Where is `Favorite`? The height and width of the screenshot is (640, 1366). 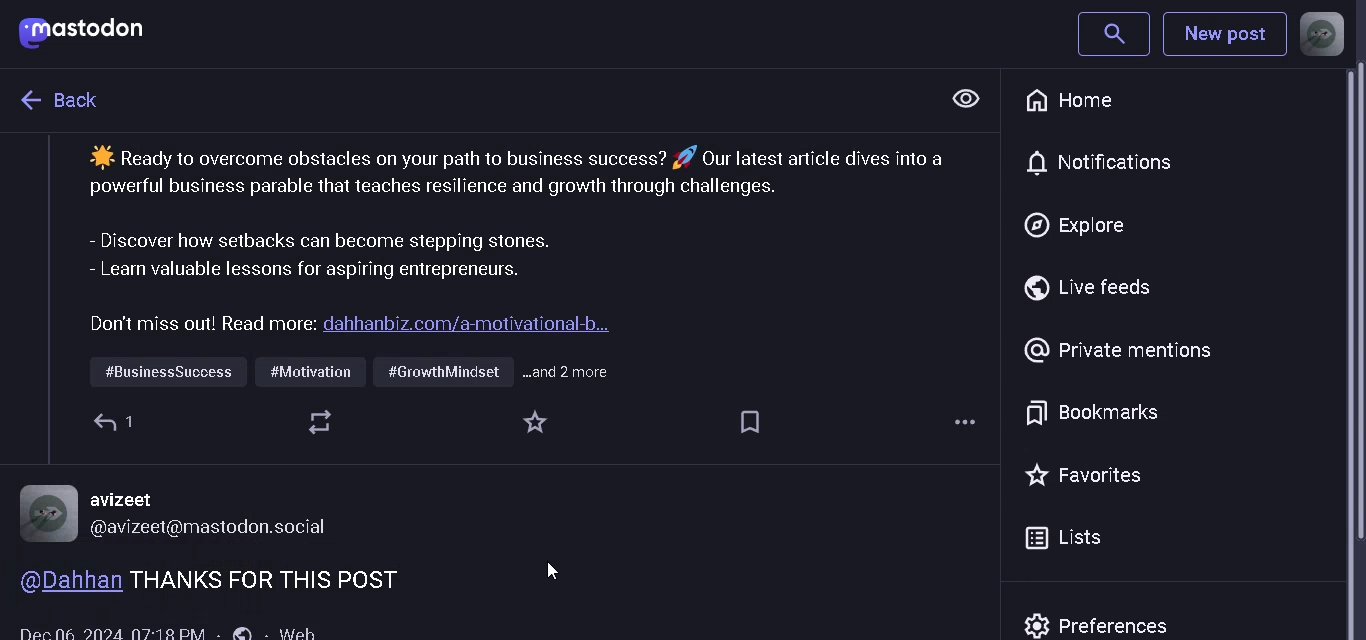 Favorite is located at coordinates (544, 423).